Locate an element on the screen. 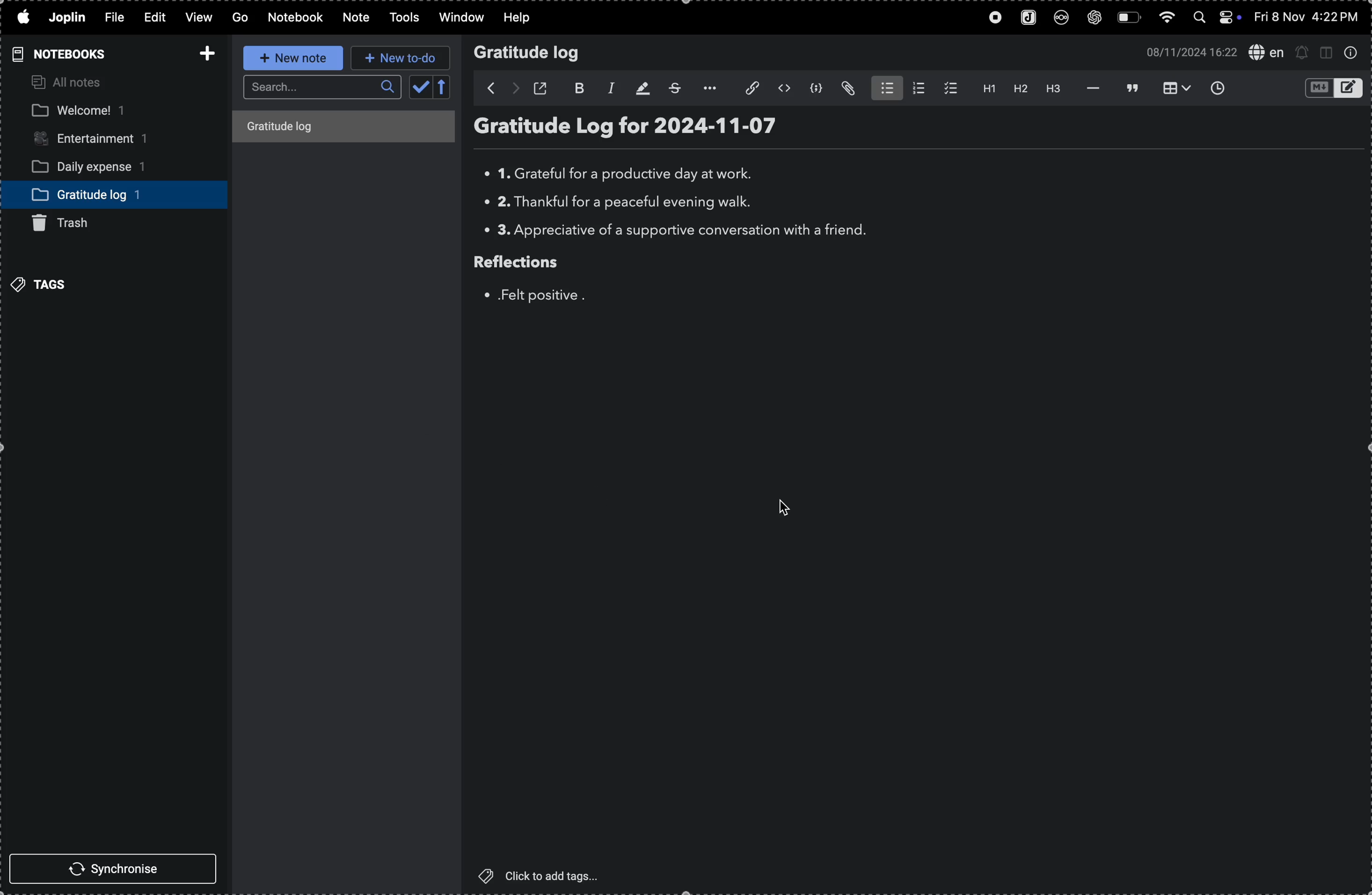 The image size is (1372, 895). welcome note book is located at coordinates (87, 111).